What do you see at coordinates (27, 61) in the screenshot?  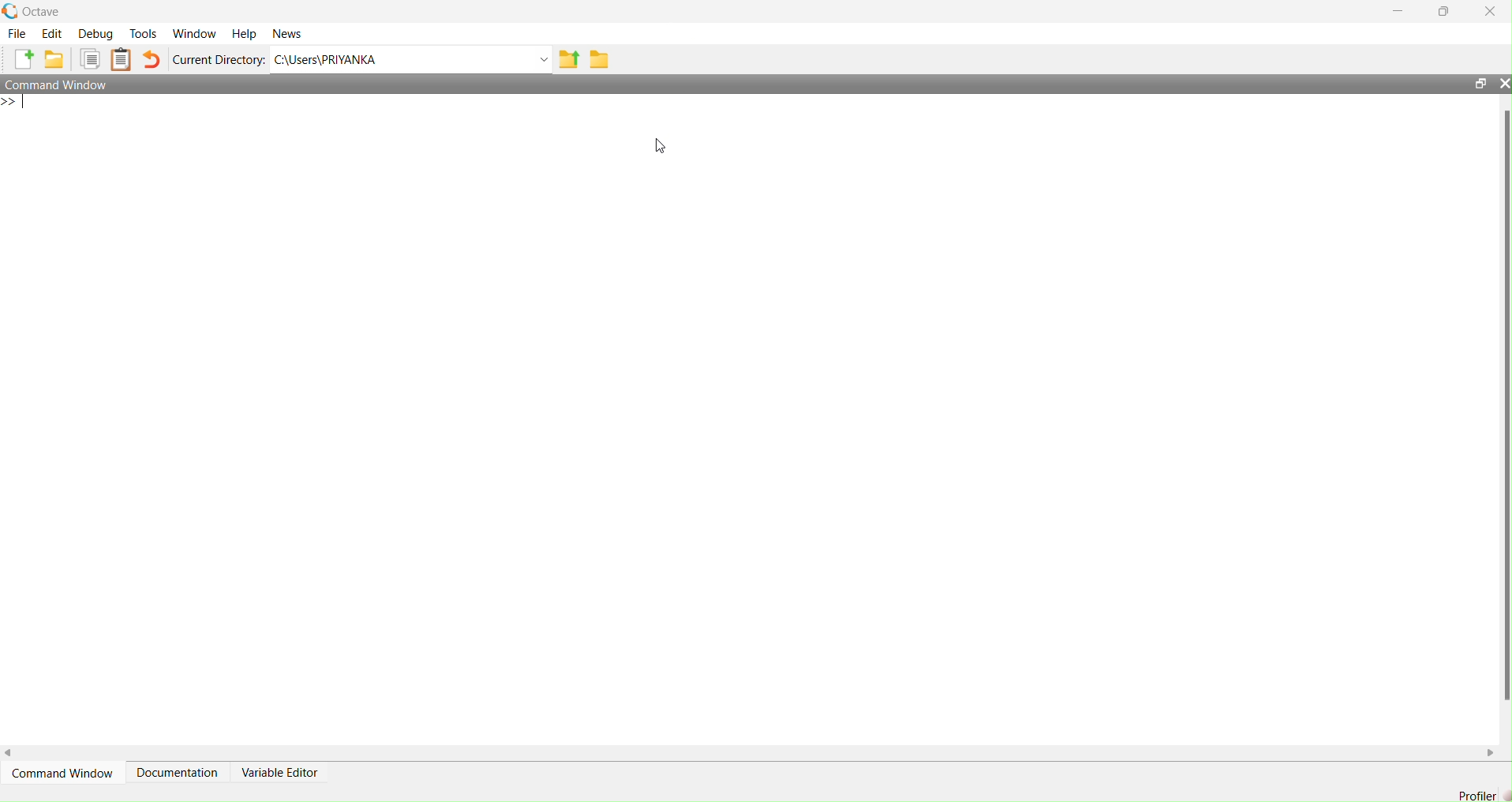 I see `add` at bounding box center [27, 61].